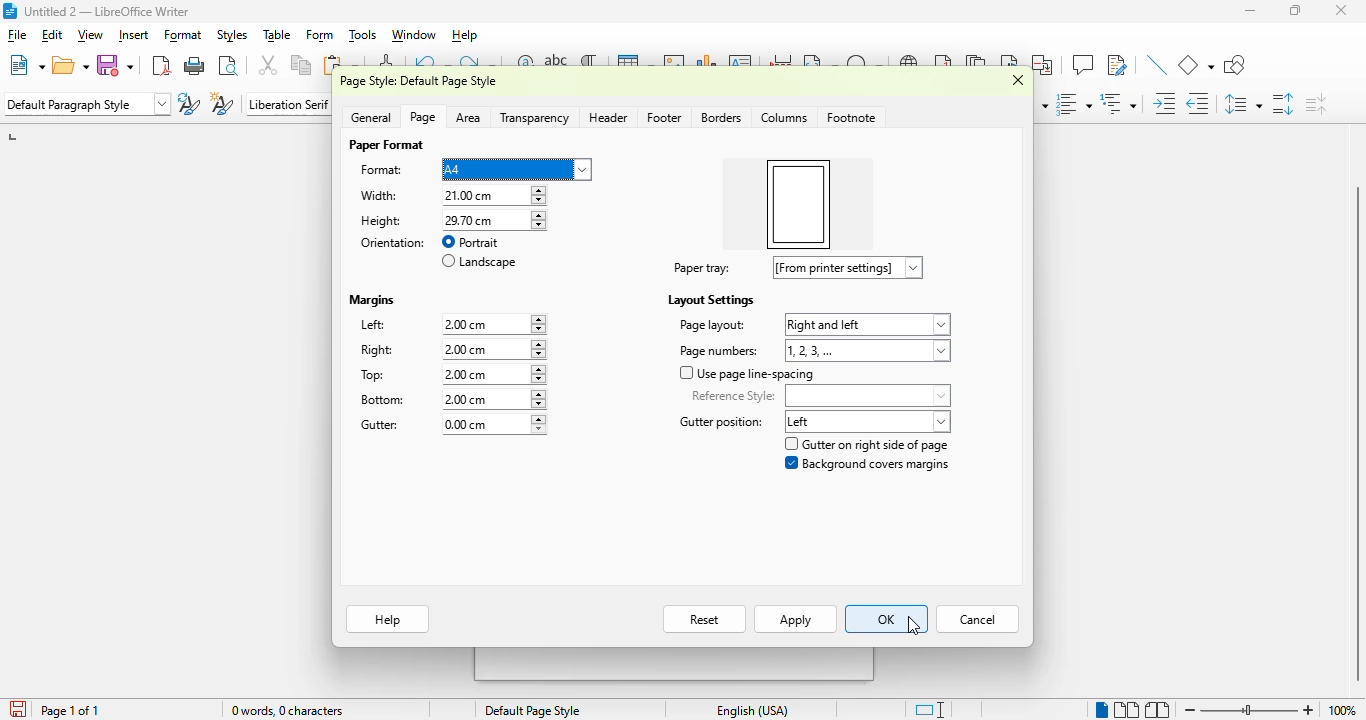 The height and width of the screenshot is (720, 1366). What do you see at coordinates (1343, 710) in the screenshot?
I see `zoom factor` at bounding box center [1343, 710].